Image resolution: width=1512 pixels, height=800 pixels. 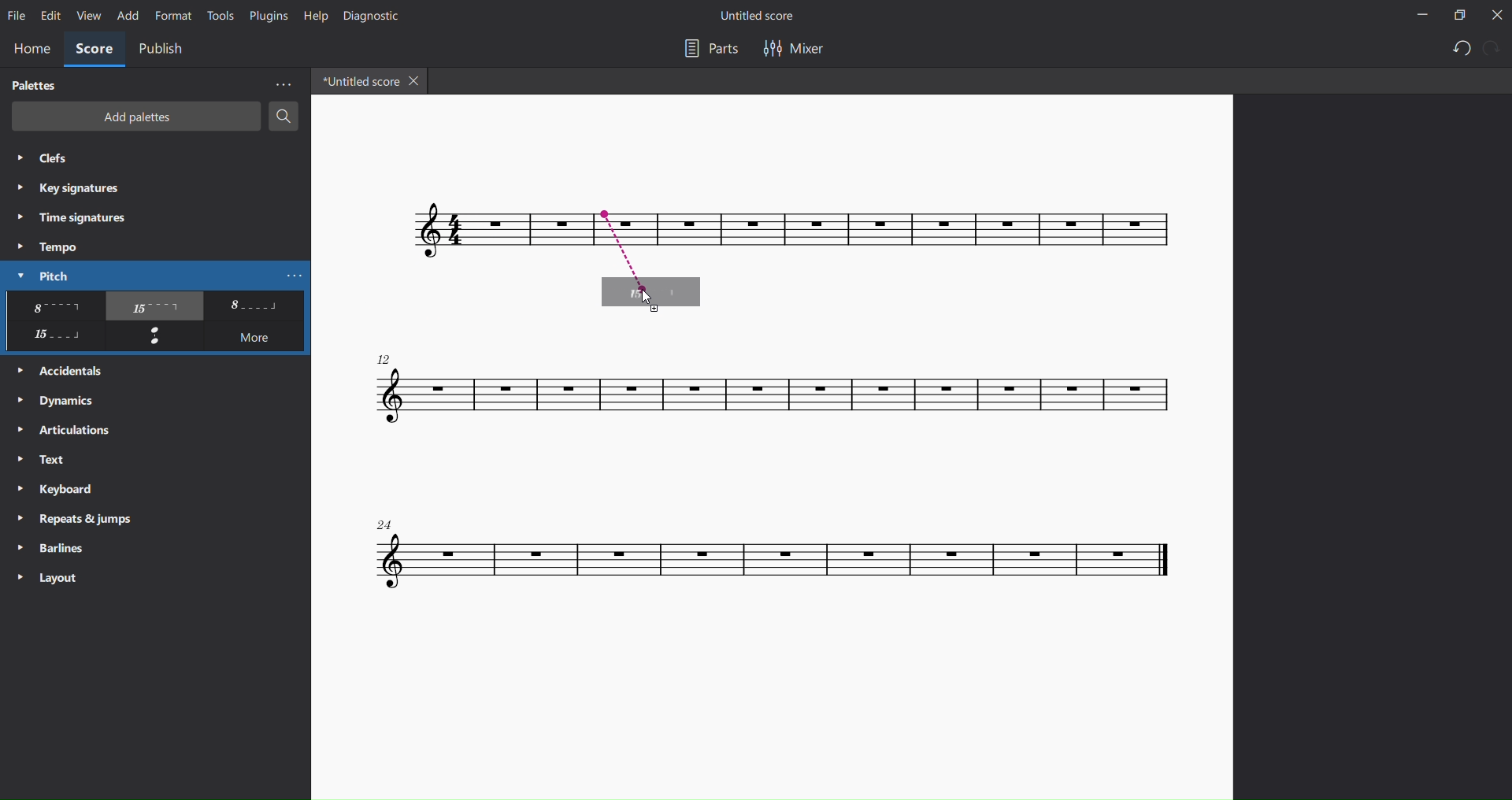 What do you see at coordinates (79, 517) in the screenshot?
I see `reports and jump` at bounding box center [79, 517].